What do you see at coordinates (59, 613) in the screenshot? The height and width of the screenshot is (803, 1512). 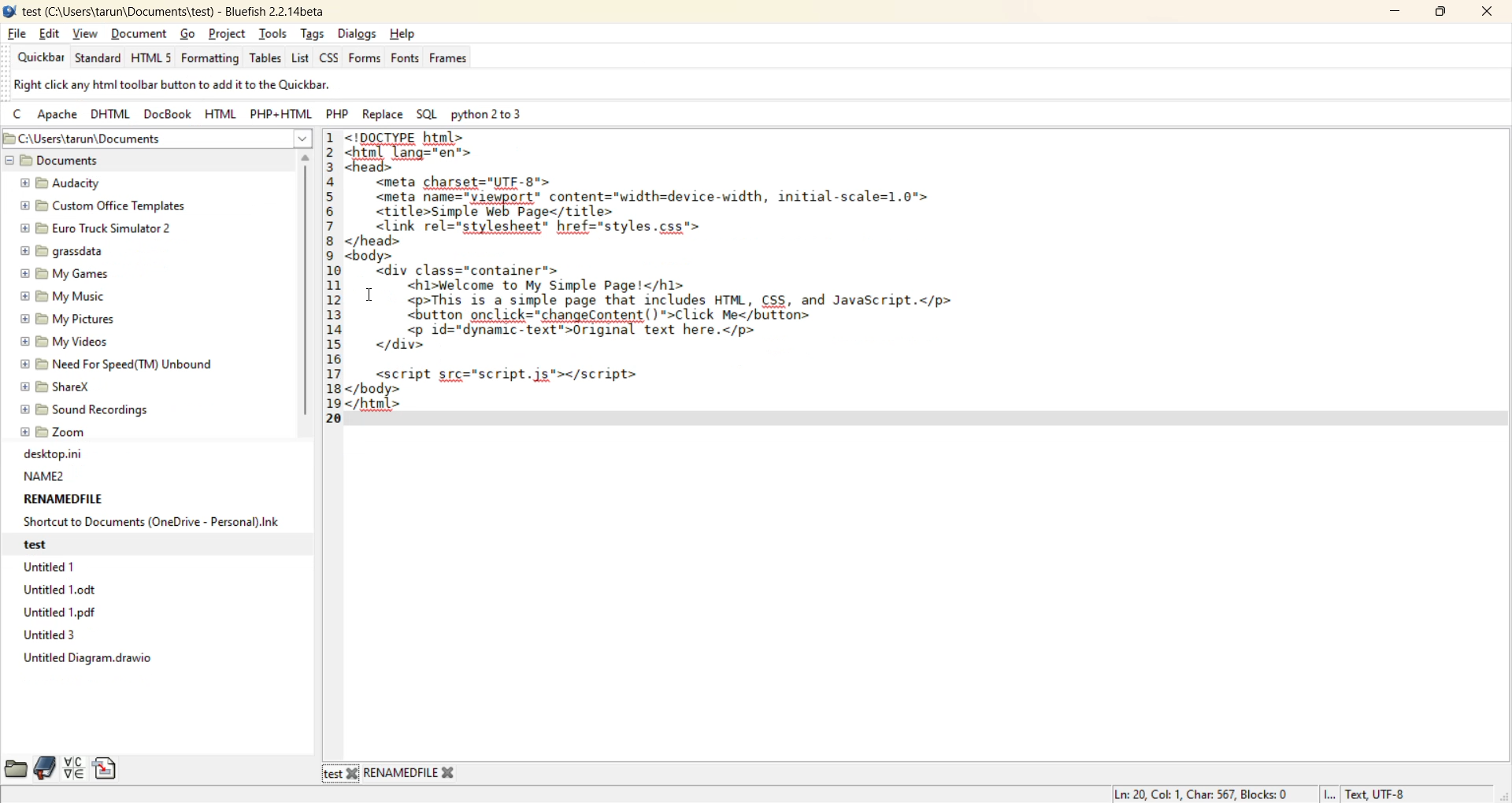 I see `Untitled 1.pdf` at bounding box center [59, 613].